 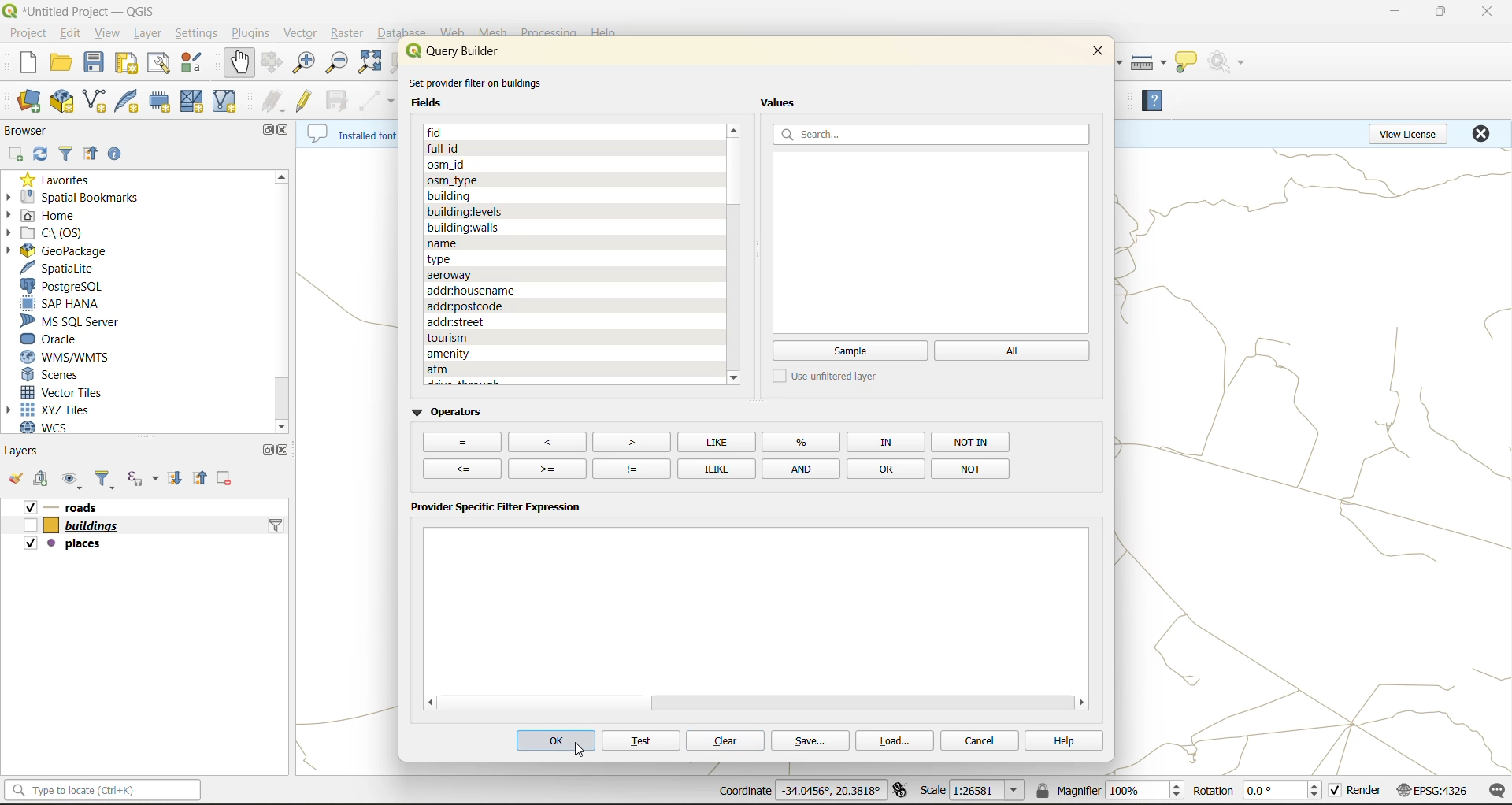 What do you see at coordinates (1392, 14) in the screenshot?
I see `minimize` at bounding box center [1392, 14].